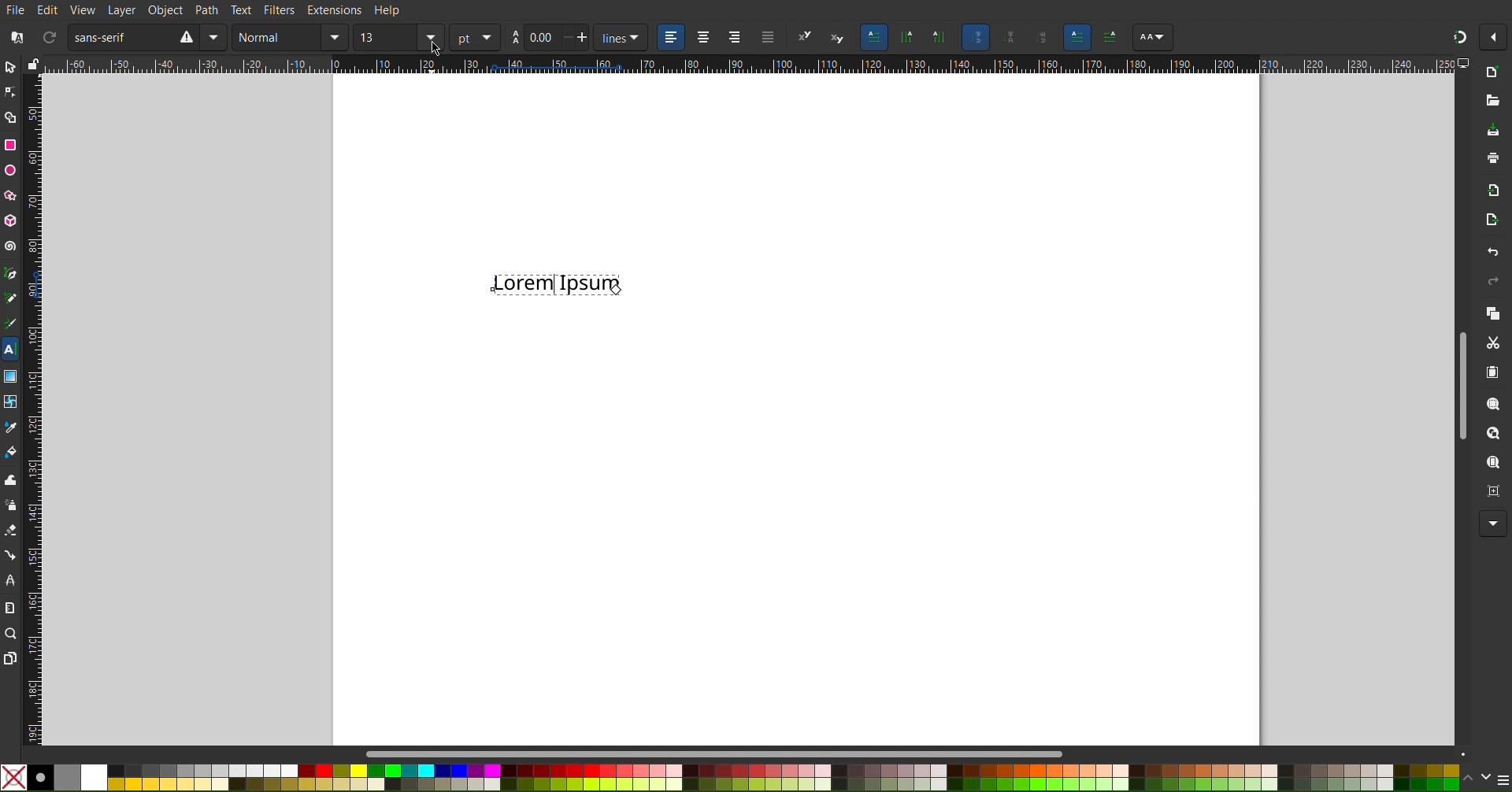 Image resolution: width=1512 pixels, height=792 pixels. What do you see at coordinates (277, 37) in the screenshot?
I see `normal` at bounding box center [277, 37].